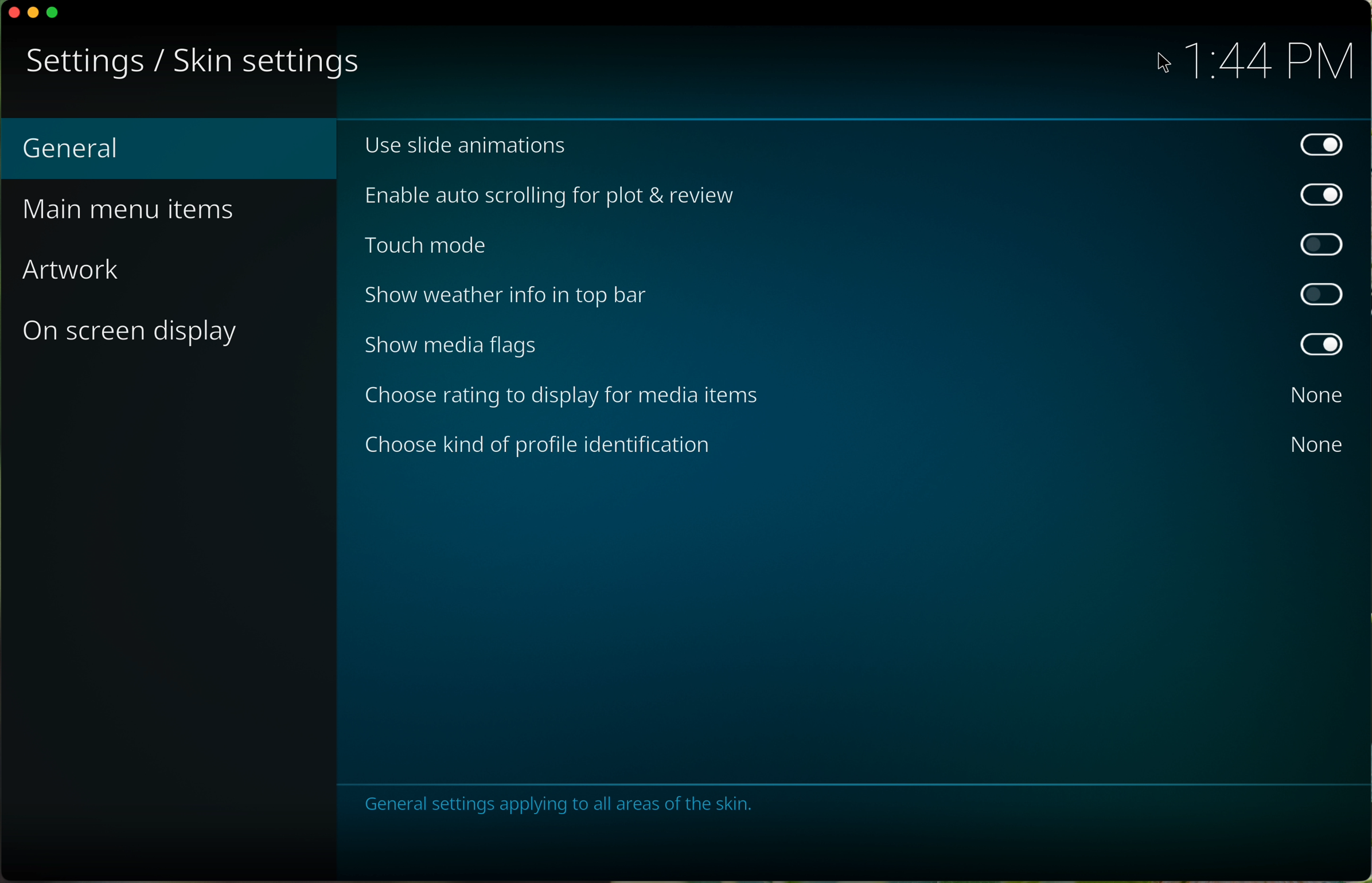 This screenshot has width=1372, height=883. What do you see at coordinates (132, 335) in the screenshot?
I see `on screen display` at bounding box center [132, 335].